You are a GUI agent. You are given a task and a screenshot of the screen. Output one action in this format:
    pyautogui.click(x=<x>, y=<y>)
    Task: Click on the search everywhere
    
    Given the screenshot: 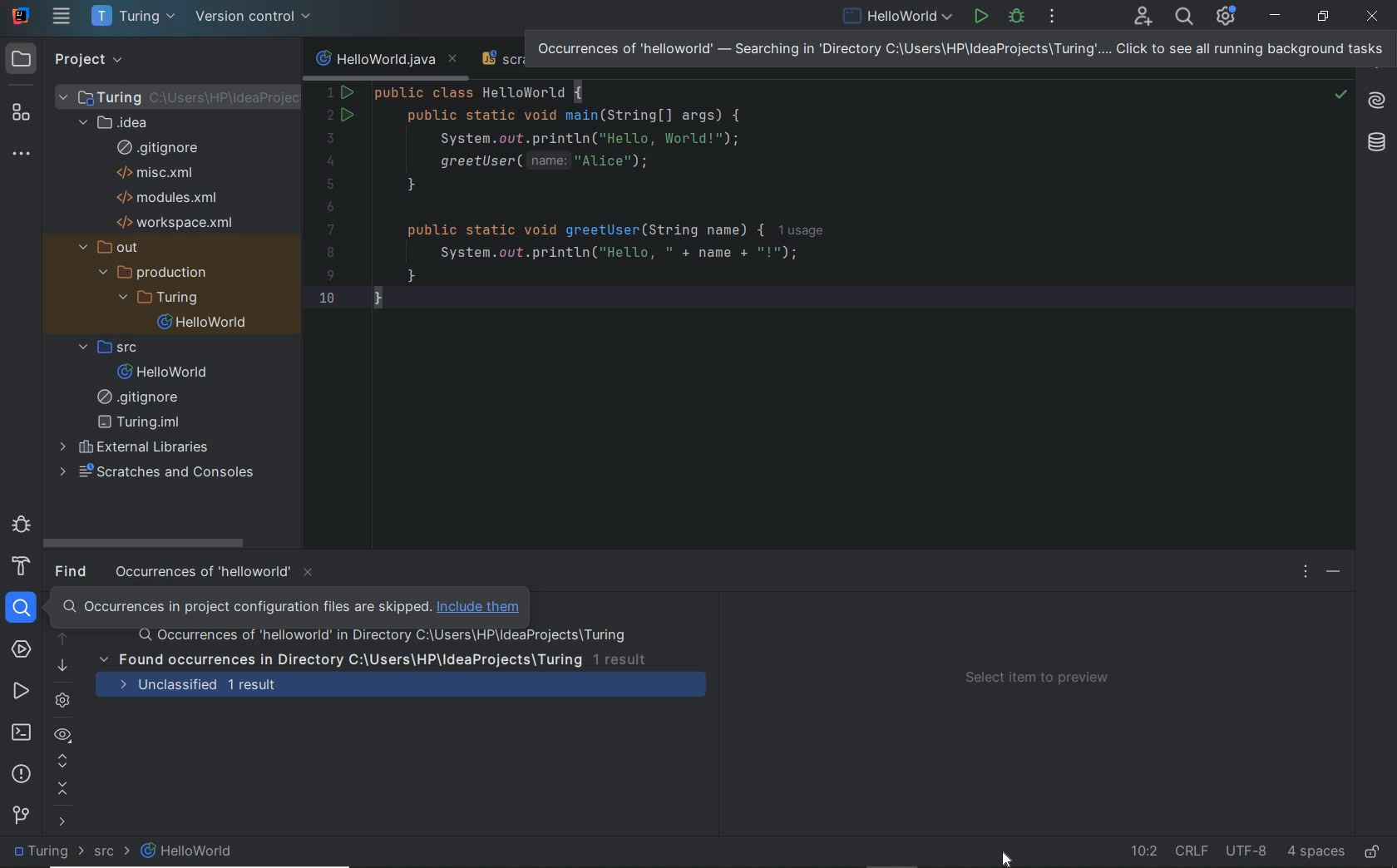 What is the action you would take?
    pyautogui.click(x=1183, y=18)
    